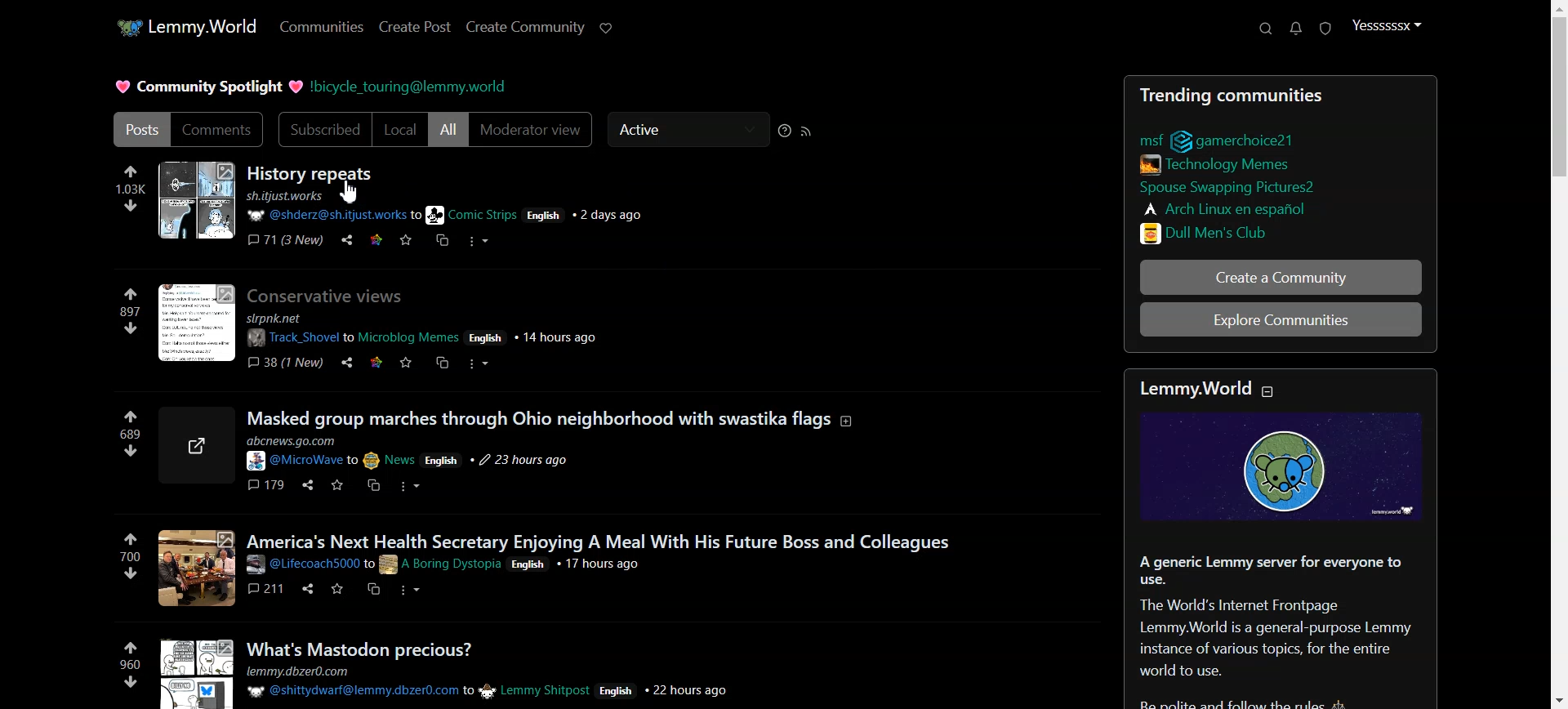  What do you see at coordinates (406, 240) in the screenshot?
I see `Save` at bounding box center [406, 240].